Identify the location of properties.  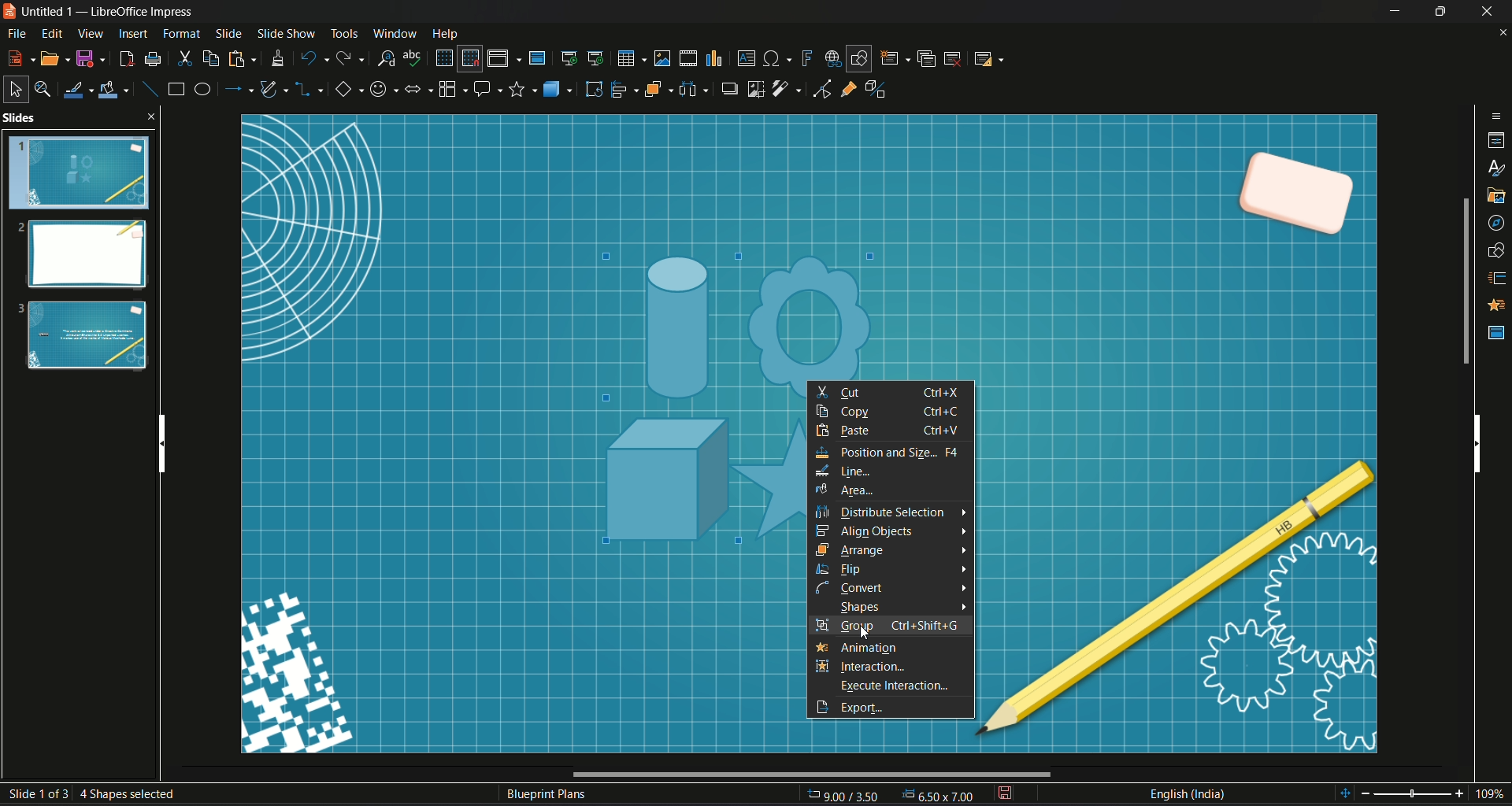
(1497, 142).